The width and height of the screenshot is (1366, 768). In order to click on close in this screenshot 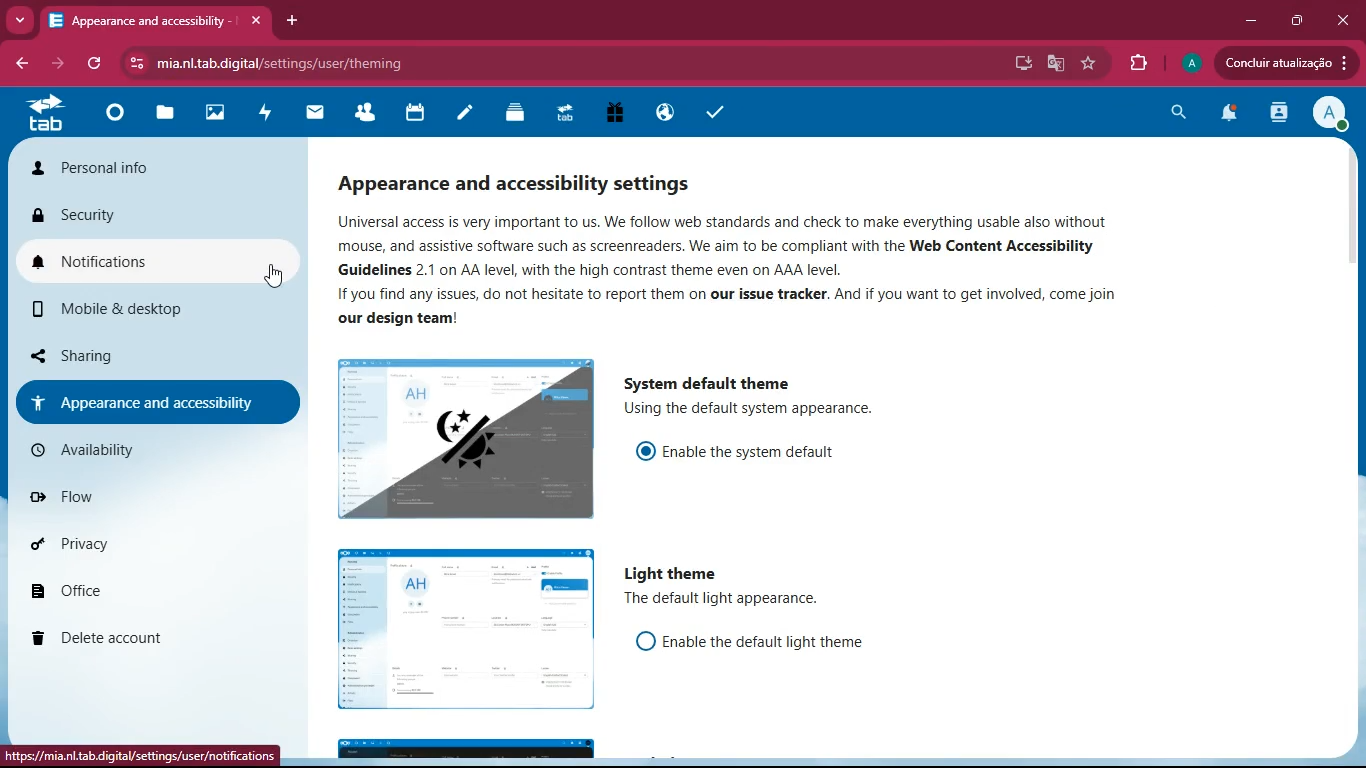, I will do `click(1340, 21)`.